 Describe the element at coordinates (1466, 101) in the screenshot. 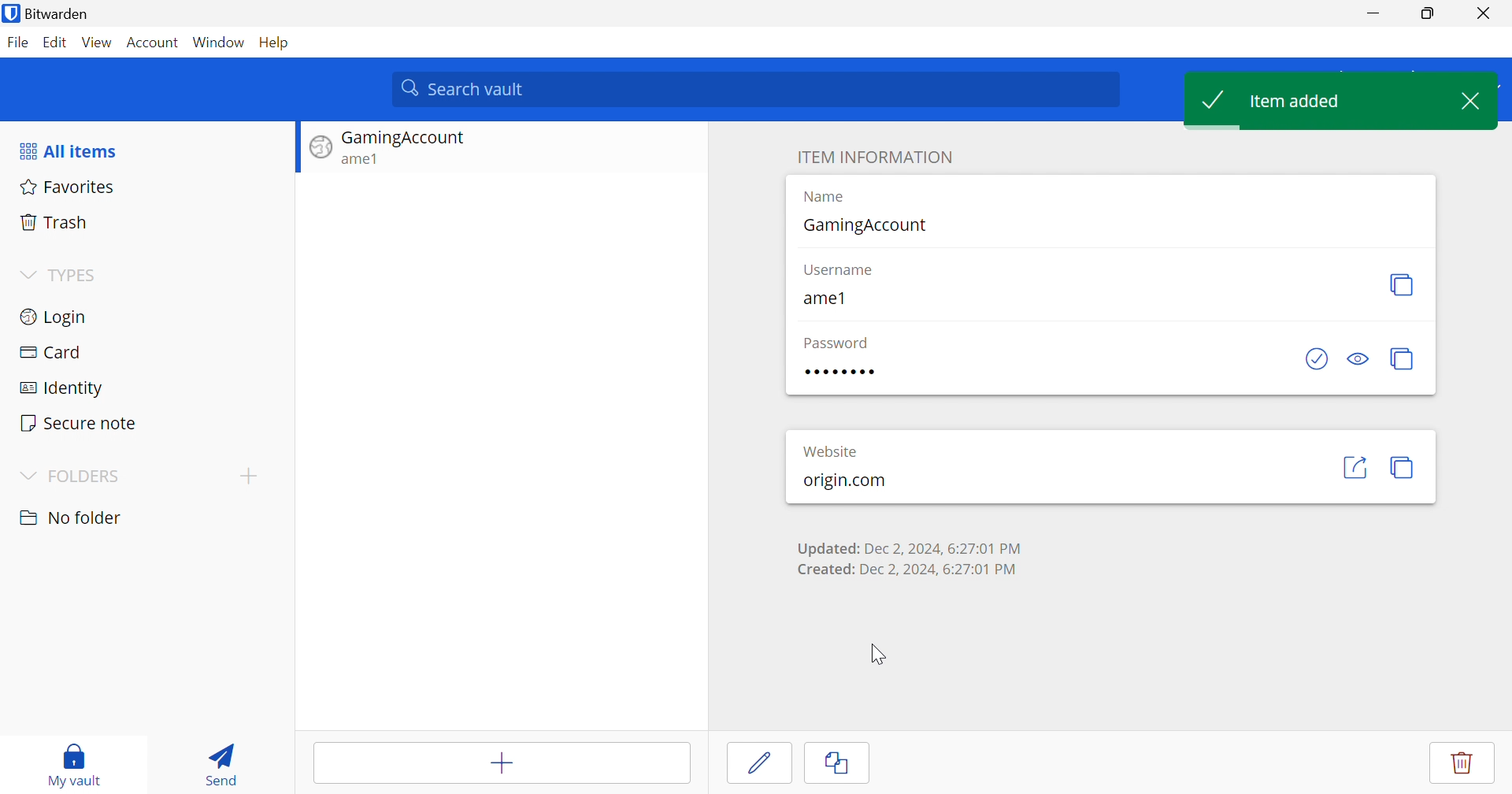

I see `Close` at that location.